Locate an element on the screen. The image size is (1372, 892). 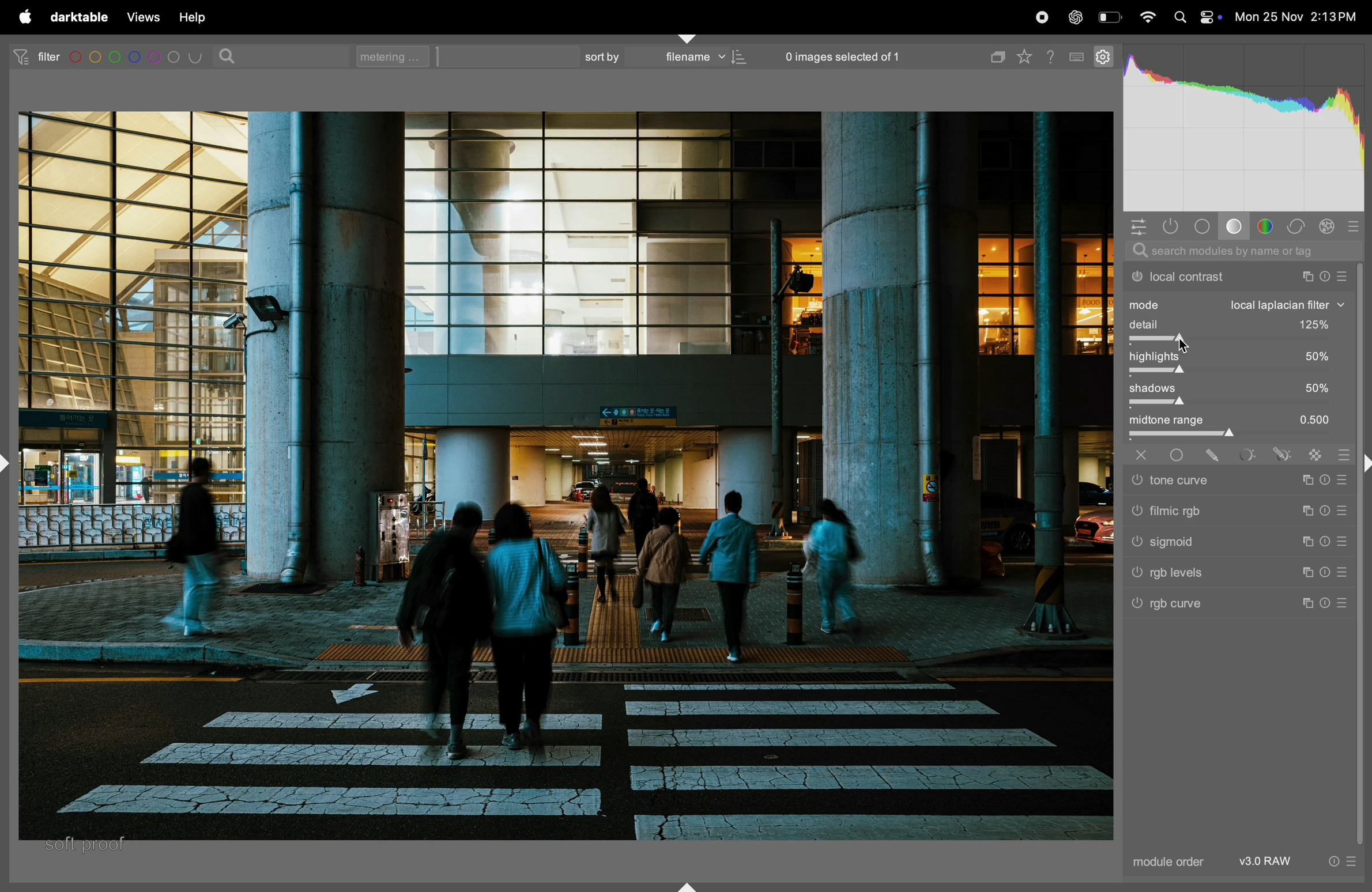
V3 raw is located at coordinates (1269, 861).